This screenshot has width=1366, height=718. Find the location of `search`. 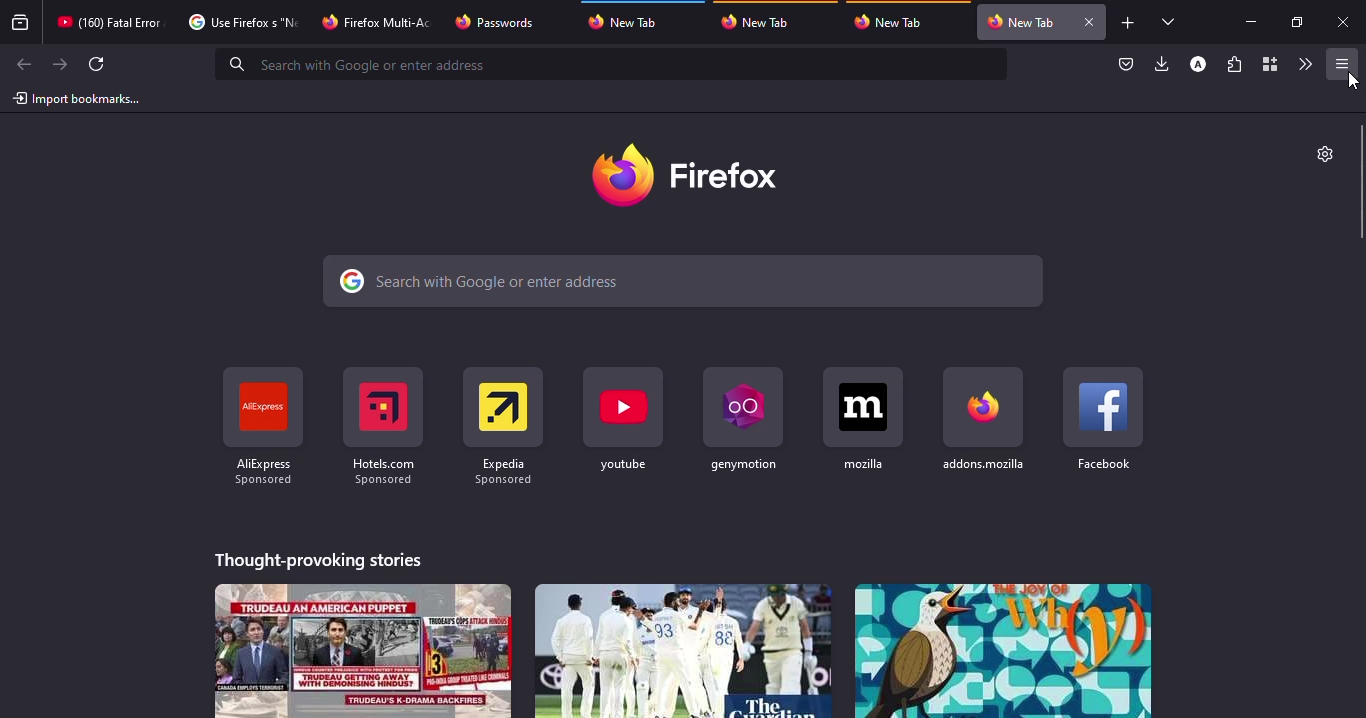

search is located at coordinates (685, 282).